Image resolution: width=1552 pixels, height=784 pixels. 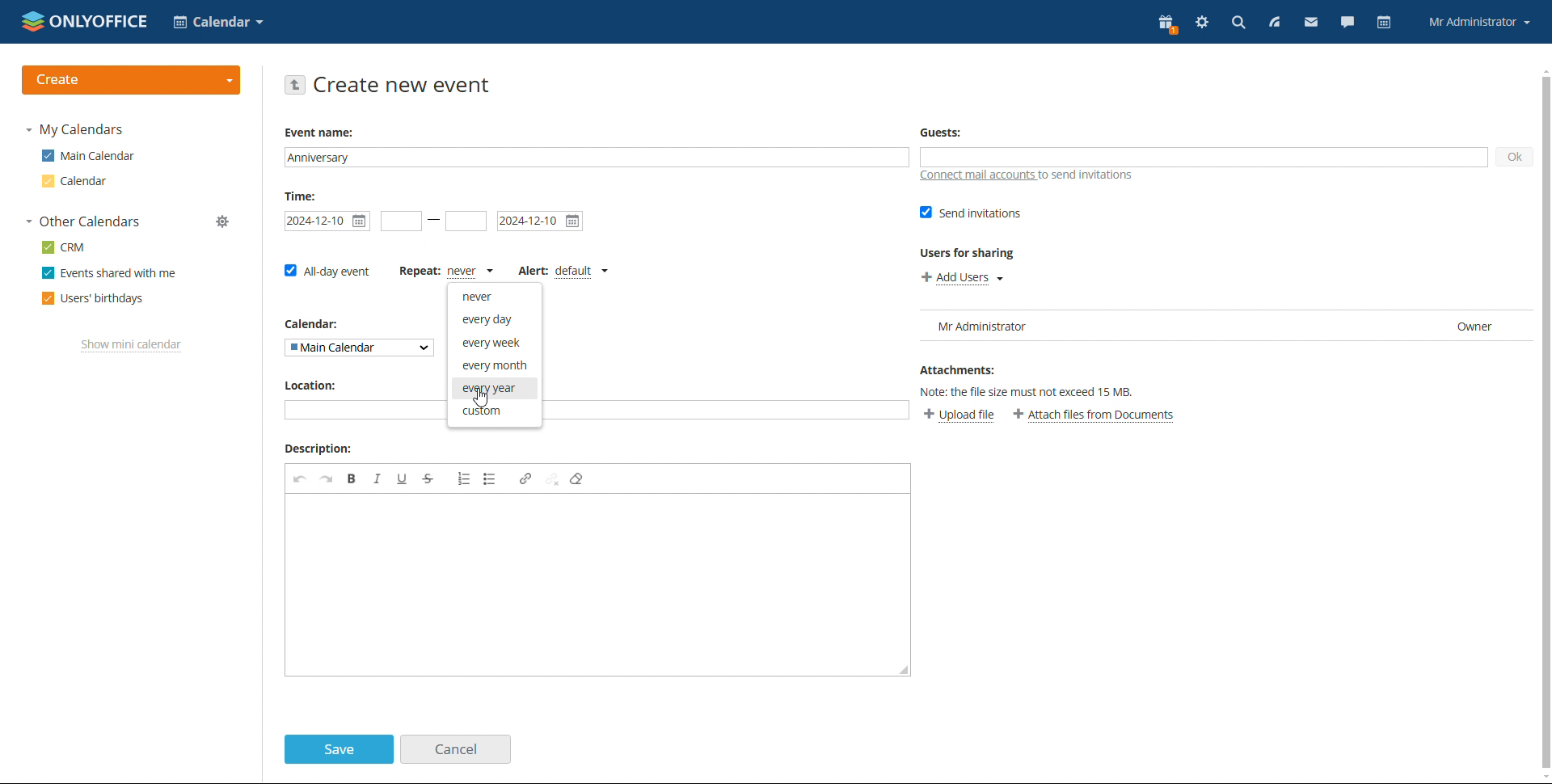 I want to click on insert/remove bulleted list, so click(x=491, y=478).